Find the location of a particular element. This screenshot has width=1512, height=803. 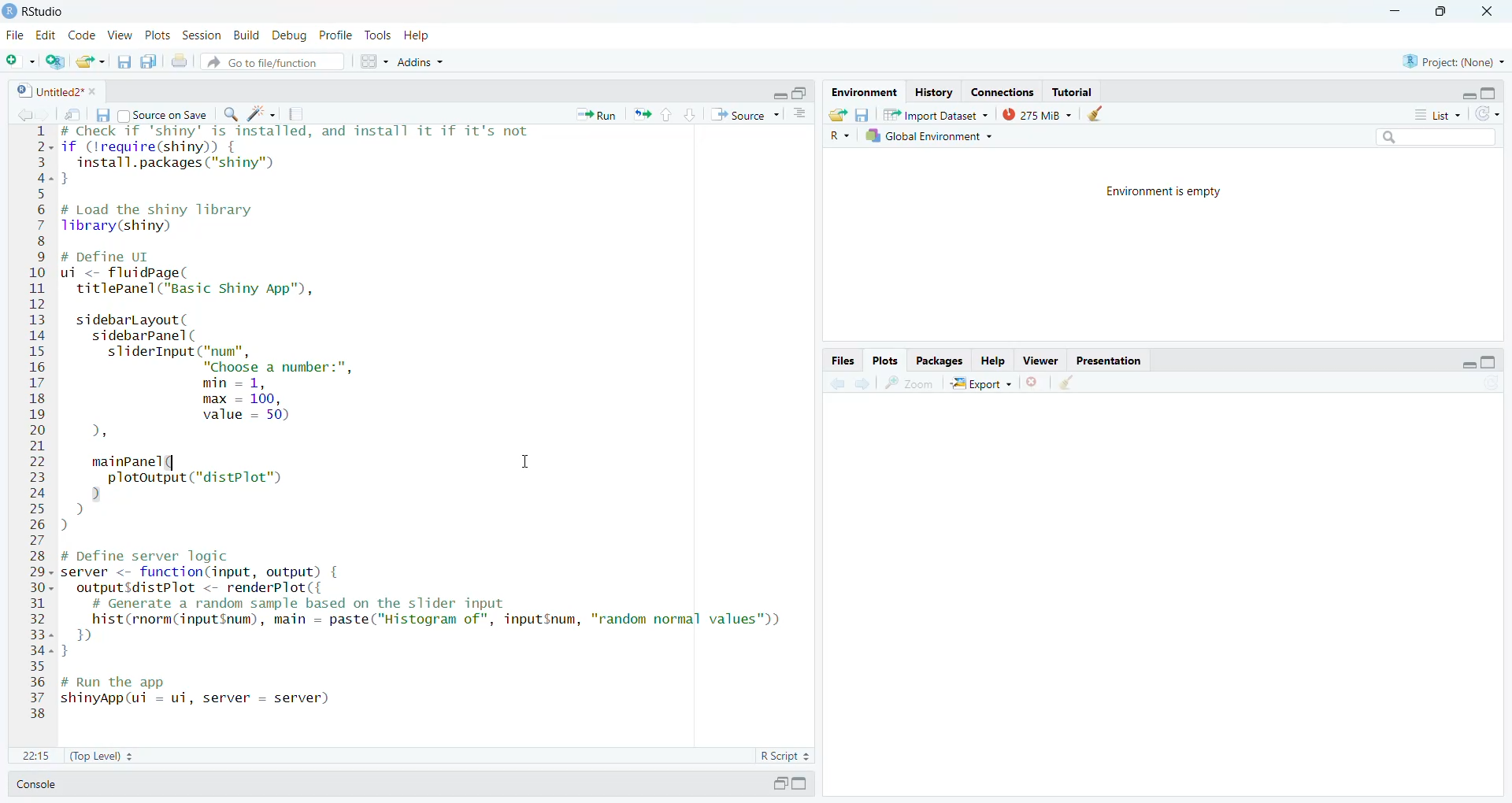

sidebarLayout (sidebarpanel(sliderInput("num","Choose a number:",min = 1,max = 100,value = 50), is located at coordinates (228, 378).